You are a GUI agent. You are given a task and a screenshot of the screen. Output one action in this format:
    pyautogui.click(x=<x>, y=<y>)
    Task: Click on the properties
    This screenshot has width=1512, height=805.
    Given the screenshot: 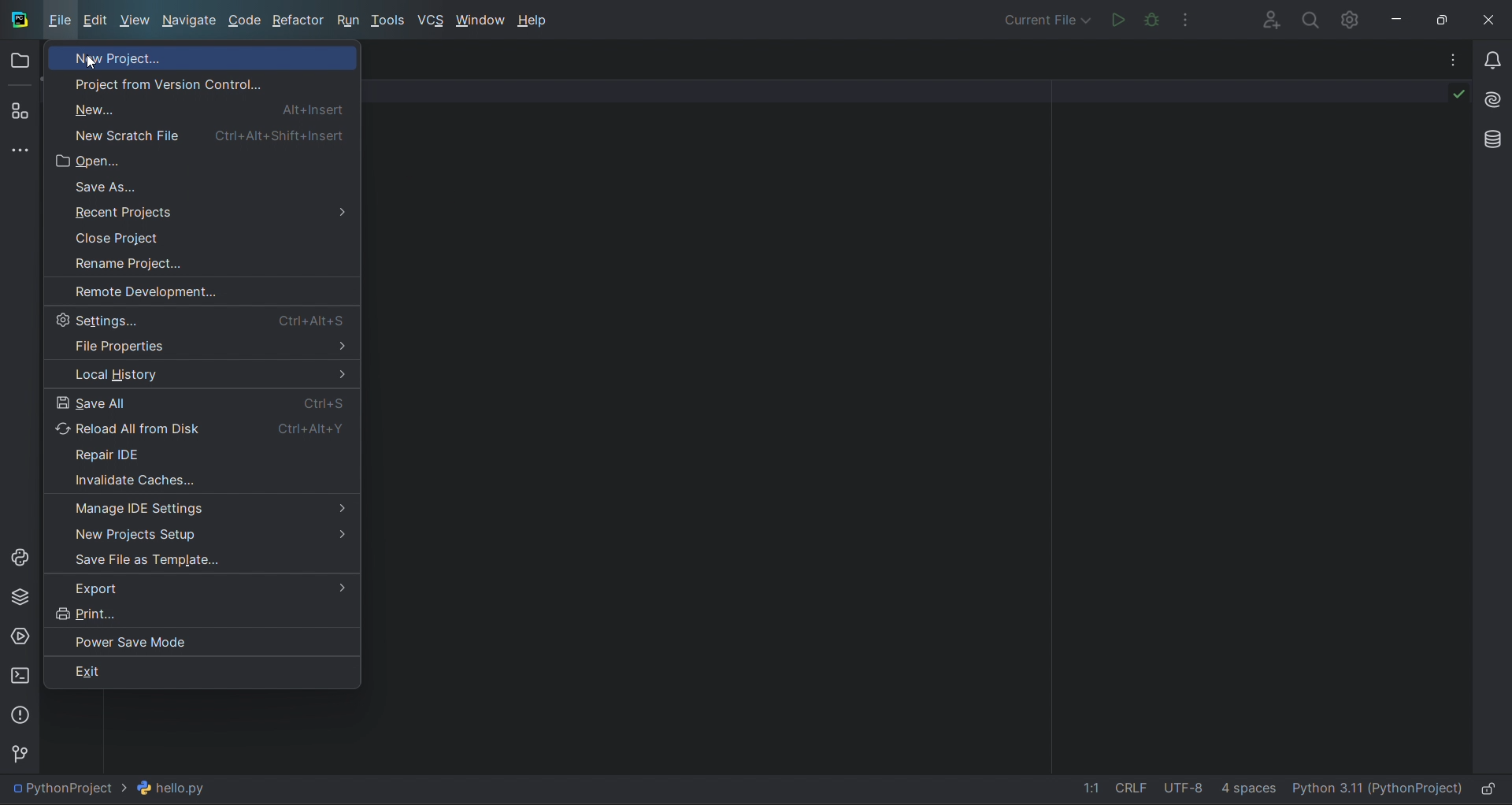 What is the action you would take?
    pyautogui.click(x=204, y=348)
    